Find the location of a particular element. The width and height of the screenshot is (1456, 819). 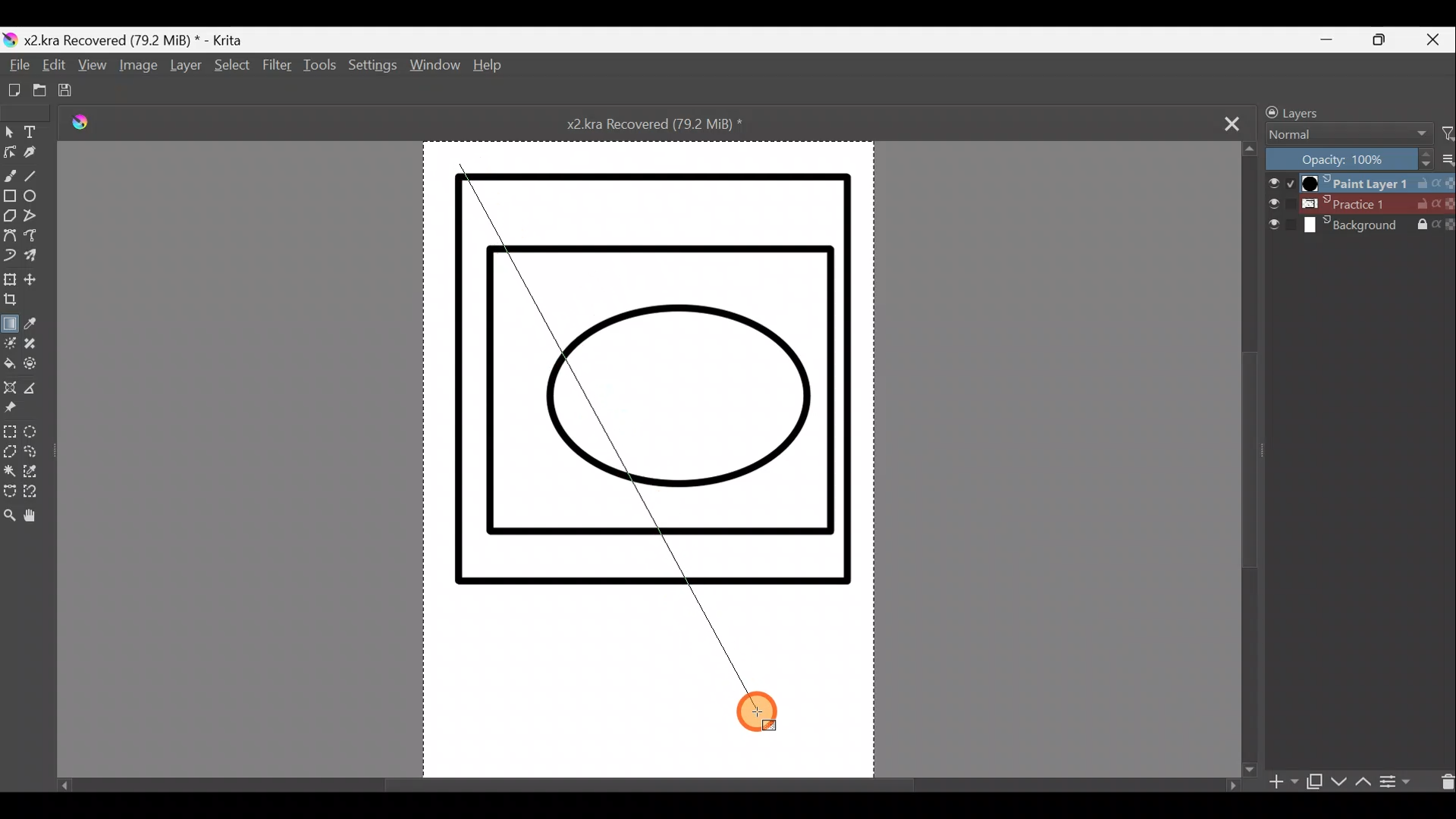

Document name is located at coordinates (670, 123).